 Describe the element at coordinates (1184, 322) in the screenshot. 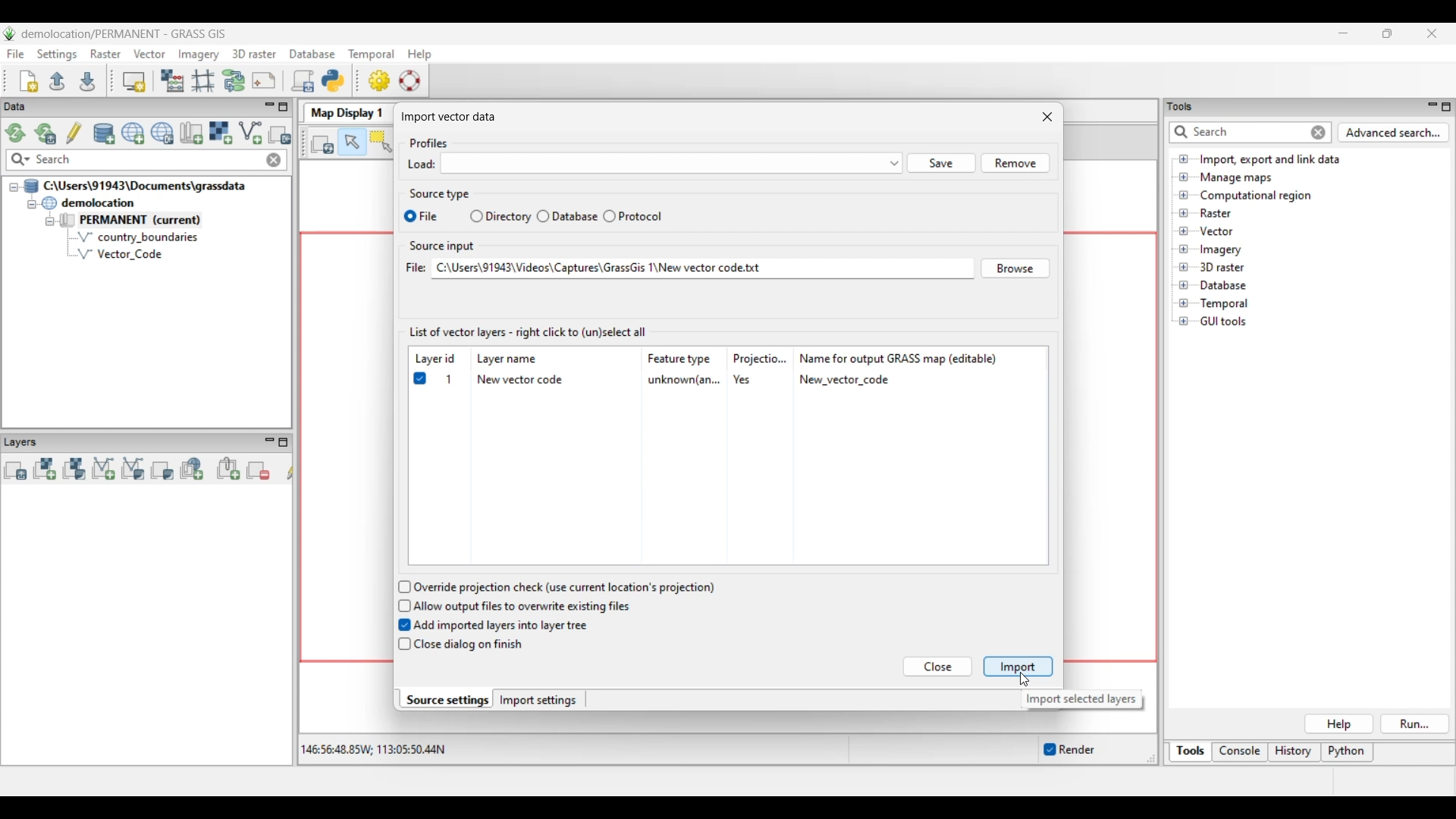

I see `Click to open GUI tools` at that location.